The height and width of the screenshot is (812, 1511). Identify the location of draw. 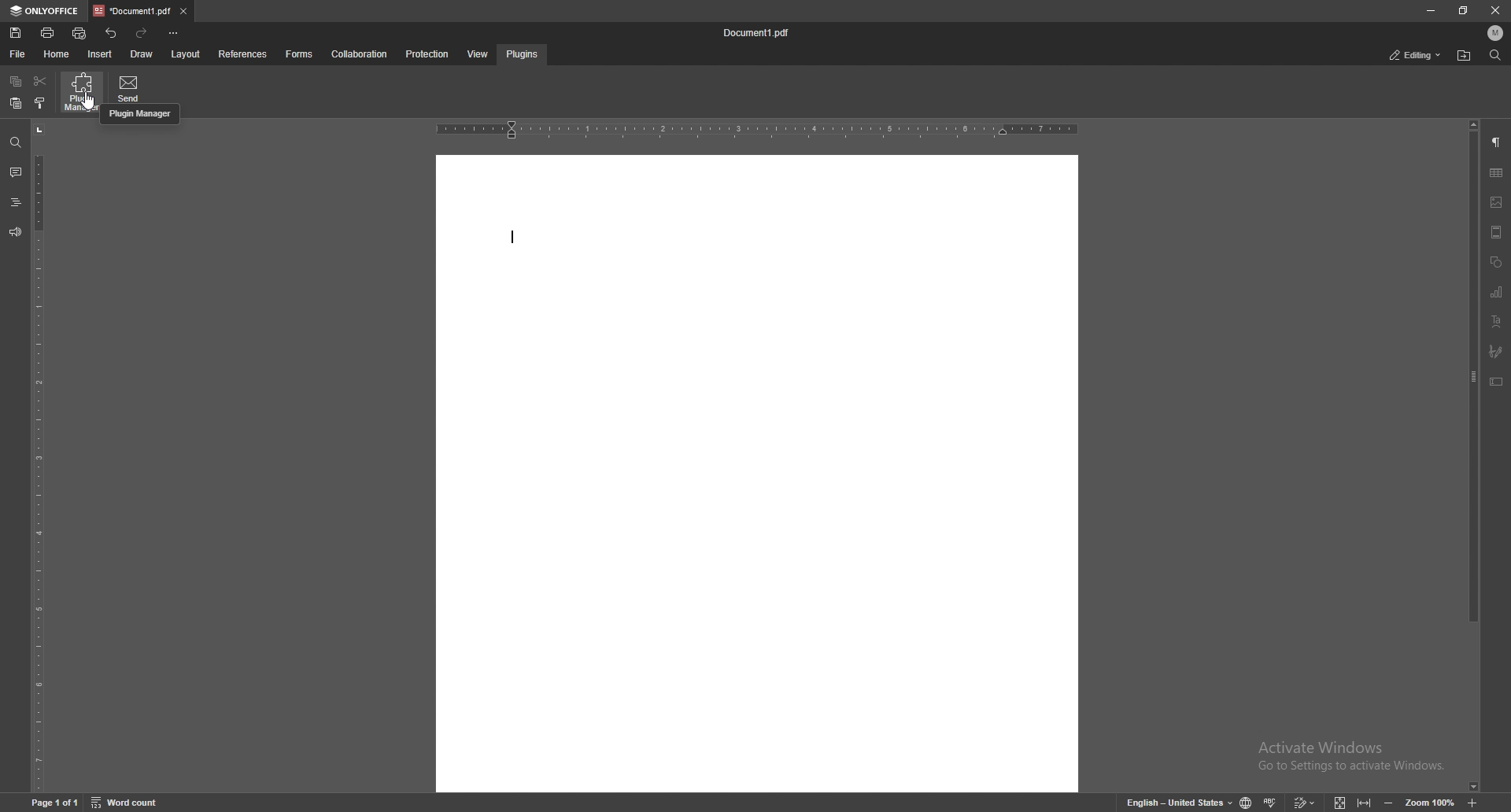
(141, 55).